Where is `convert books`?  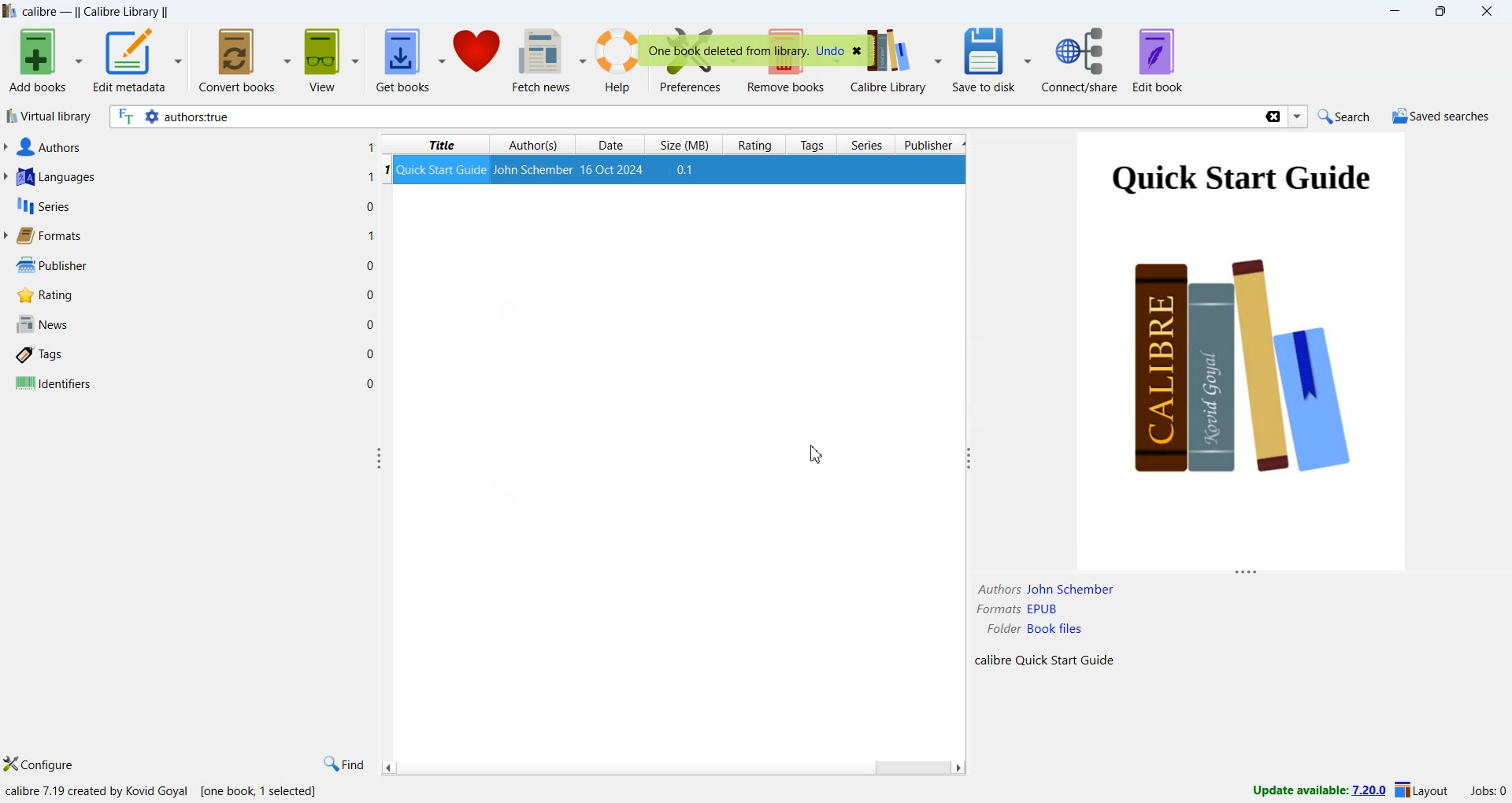
convert books is located at coordinates (246, 59).